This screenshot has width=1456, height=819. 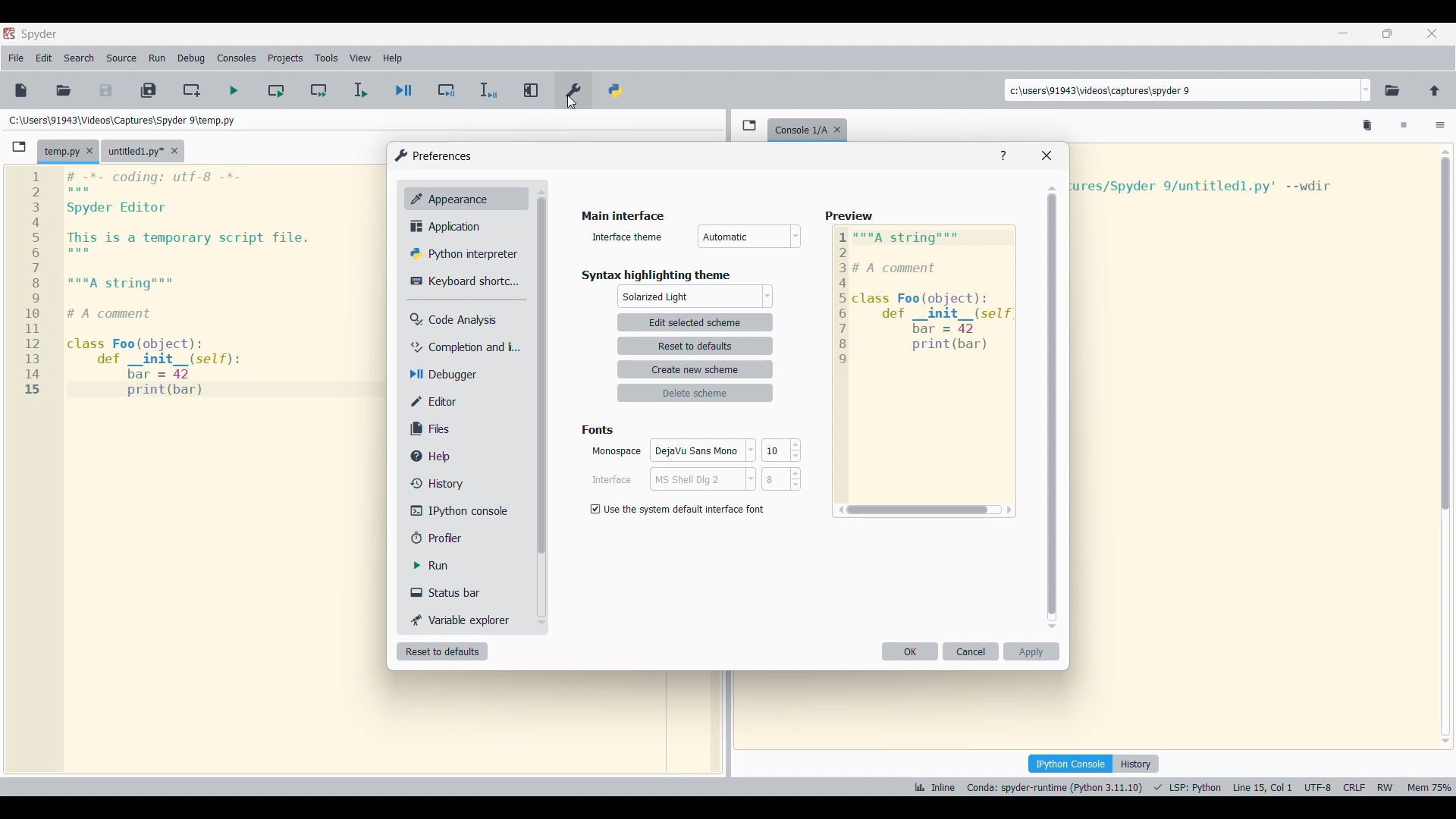 What do you see at coordinates (1367, 126) in the screenshot?
I see `Remove all variables from namespace` at bounding box center [1367, 126].